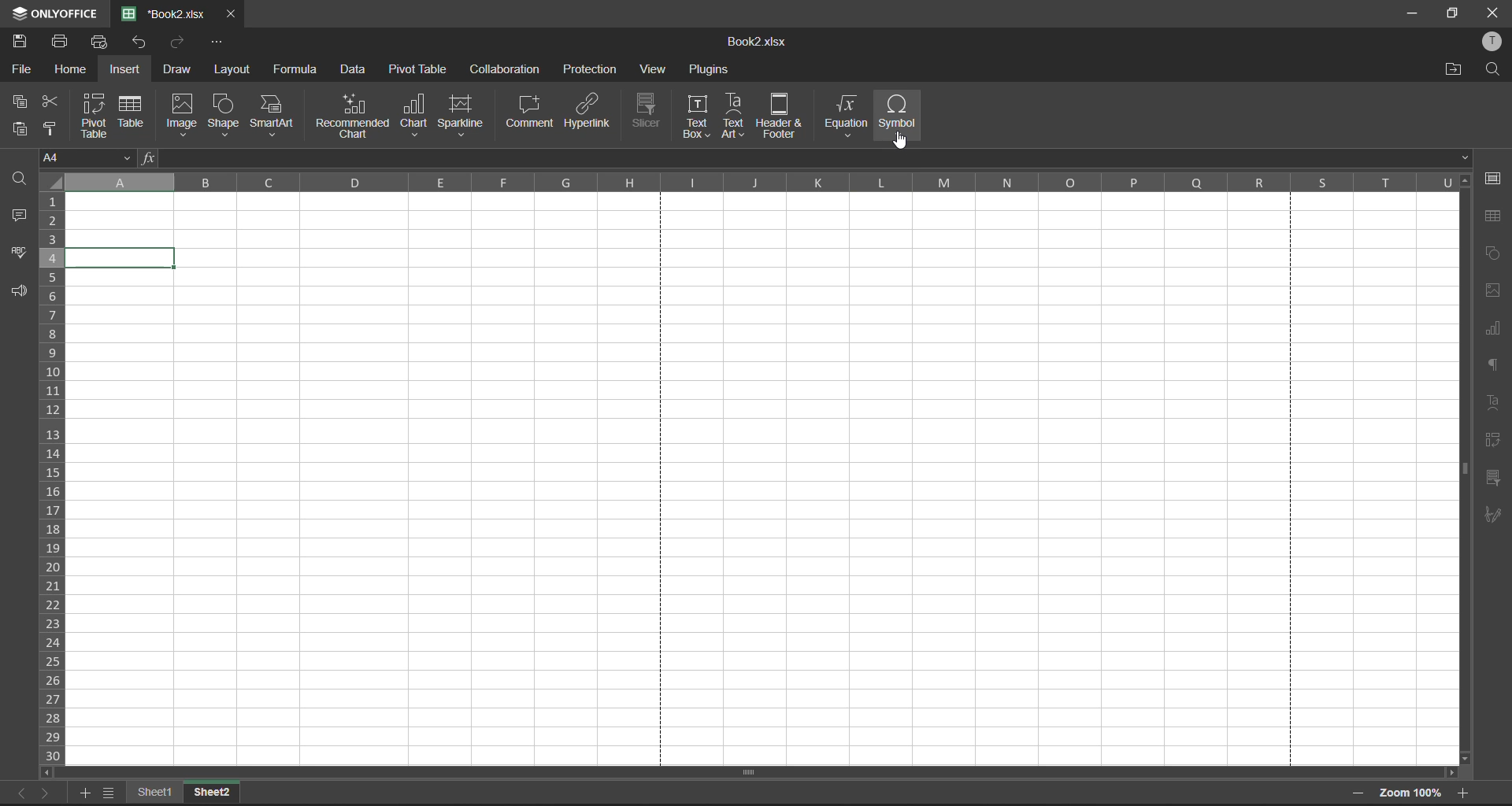  Describe the element at coordinates (508, 68) in the screenshot. I see `collaboration` at that location.